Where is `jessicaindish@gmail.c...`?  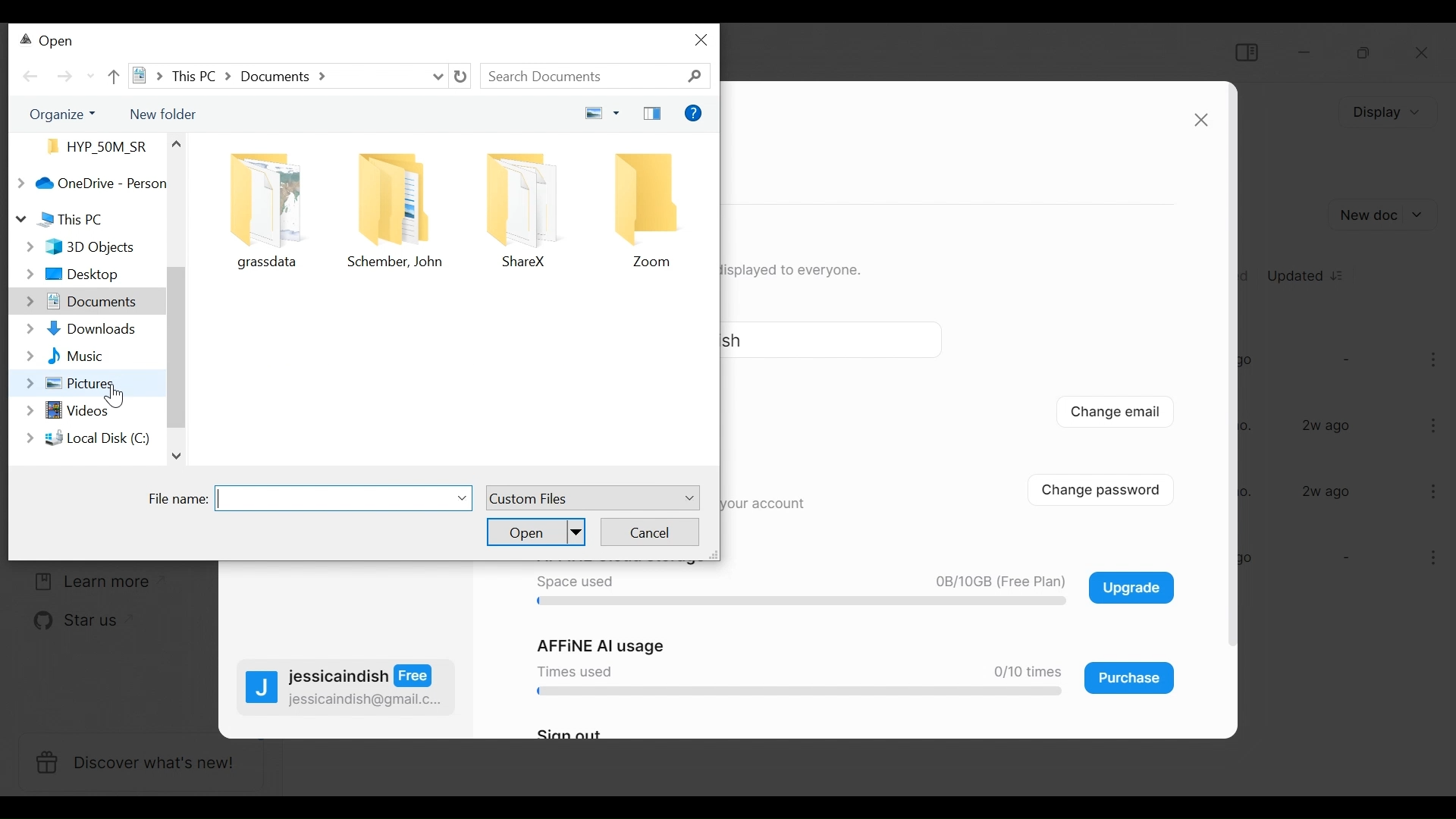 jessicaindish@gmail.c... is located at coordinates (366, 700).